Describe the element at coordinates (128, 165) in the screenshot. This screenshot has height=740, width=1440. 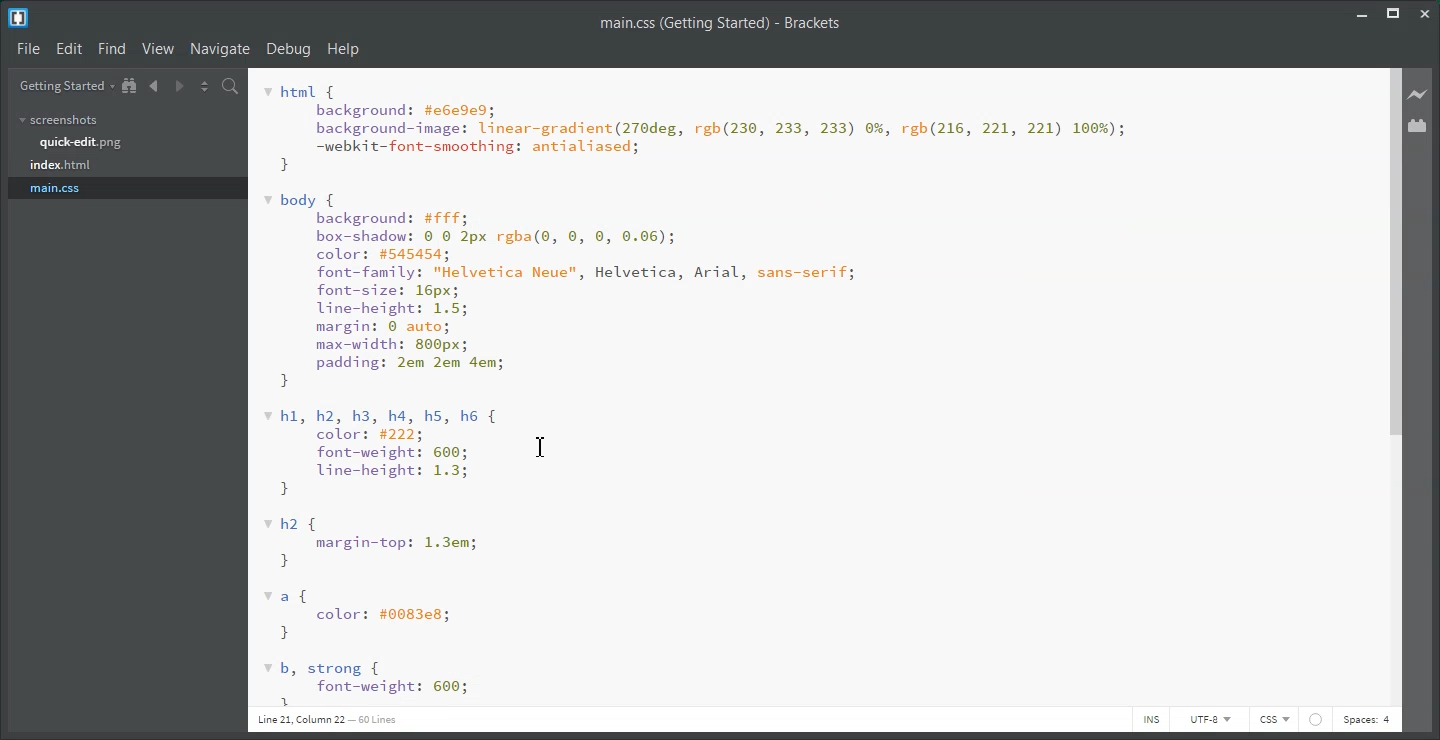
I see `index.html` at that location.